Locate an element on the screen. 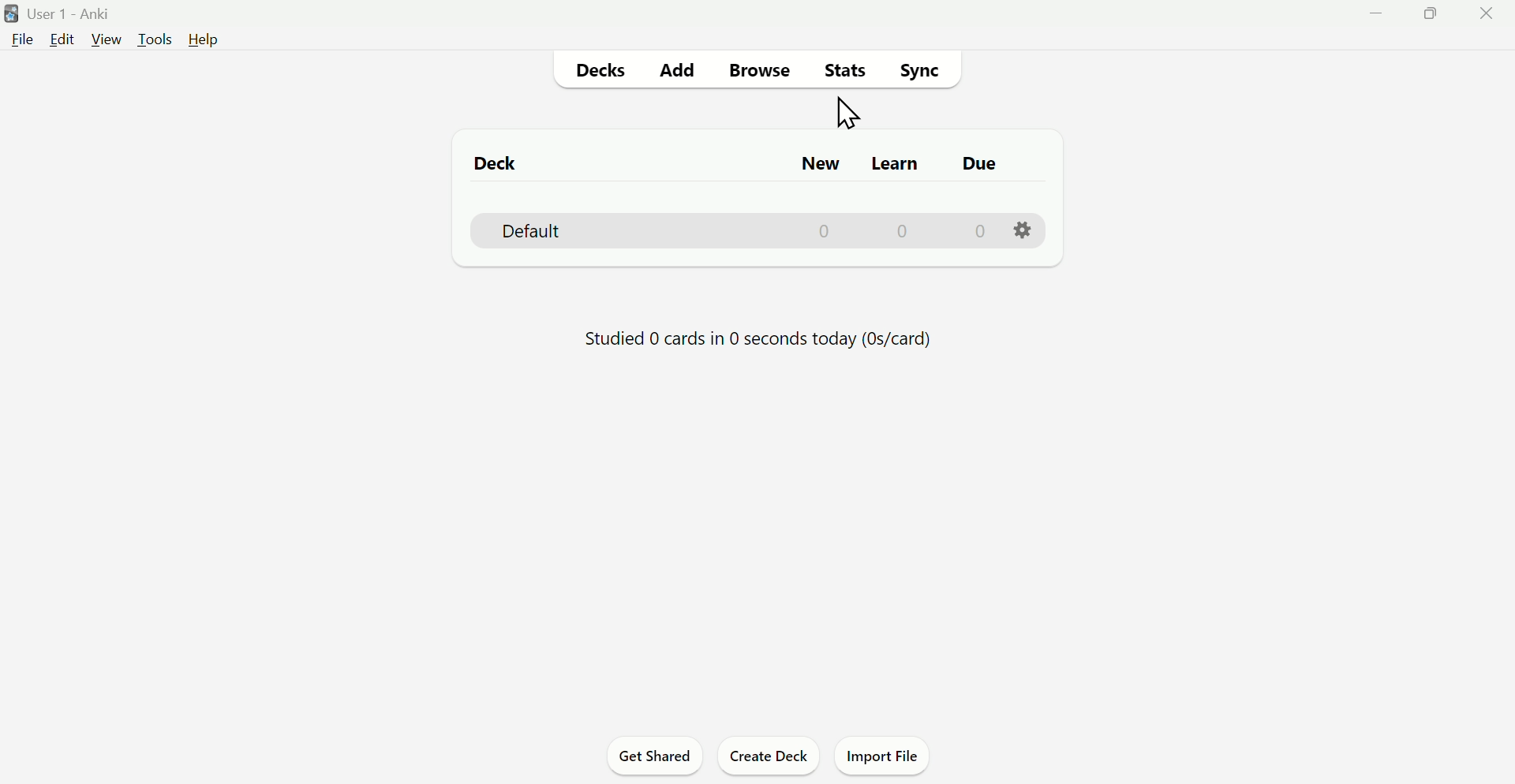  0 is located at coordinates (825, 230).